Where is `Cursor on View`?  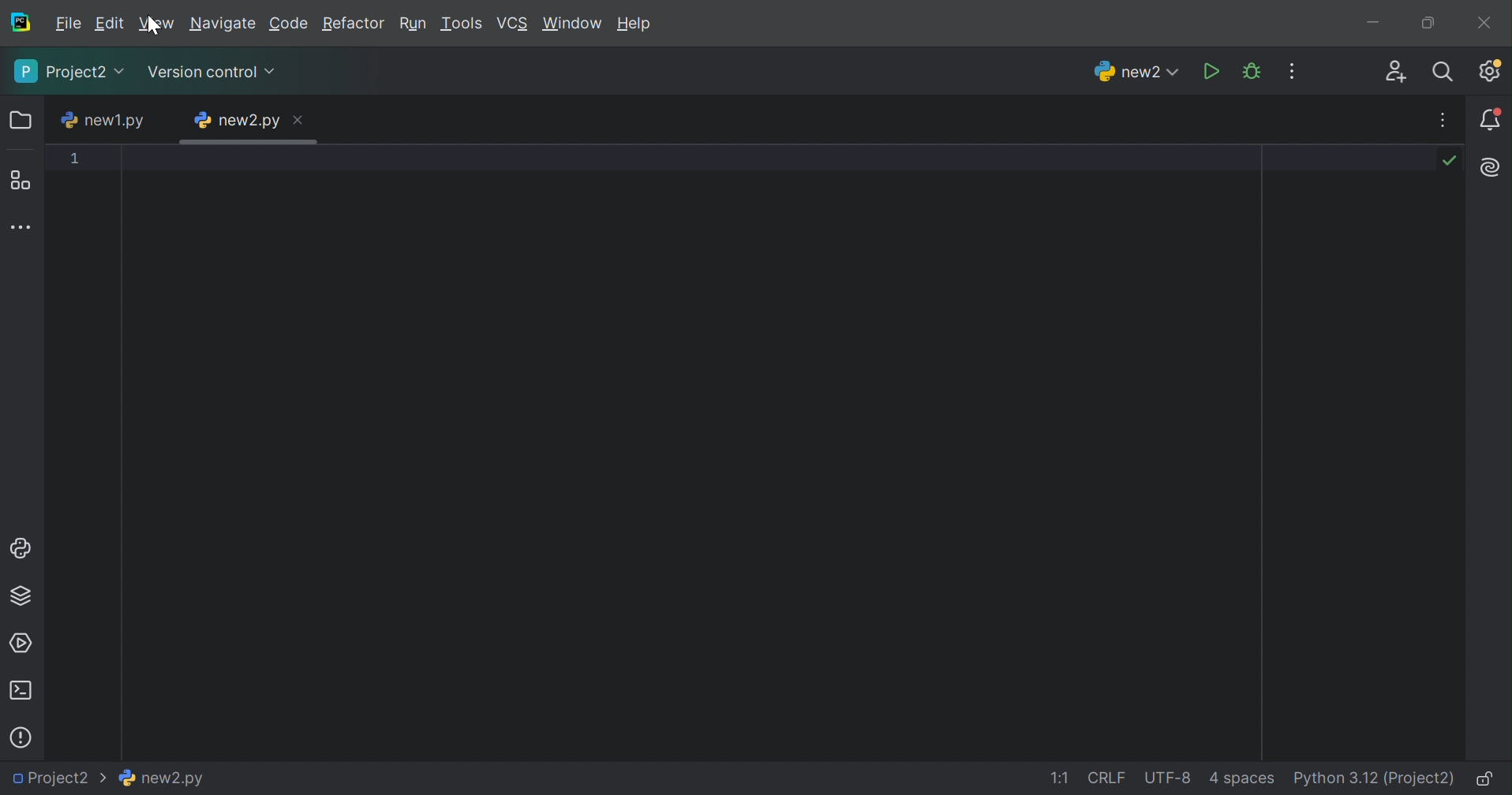
Cursor on View is located at coordinates (157, 28).